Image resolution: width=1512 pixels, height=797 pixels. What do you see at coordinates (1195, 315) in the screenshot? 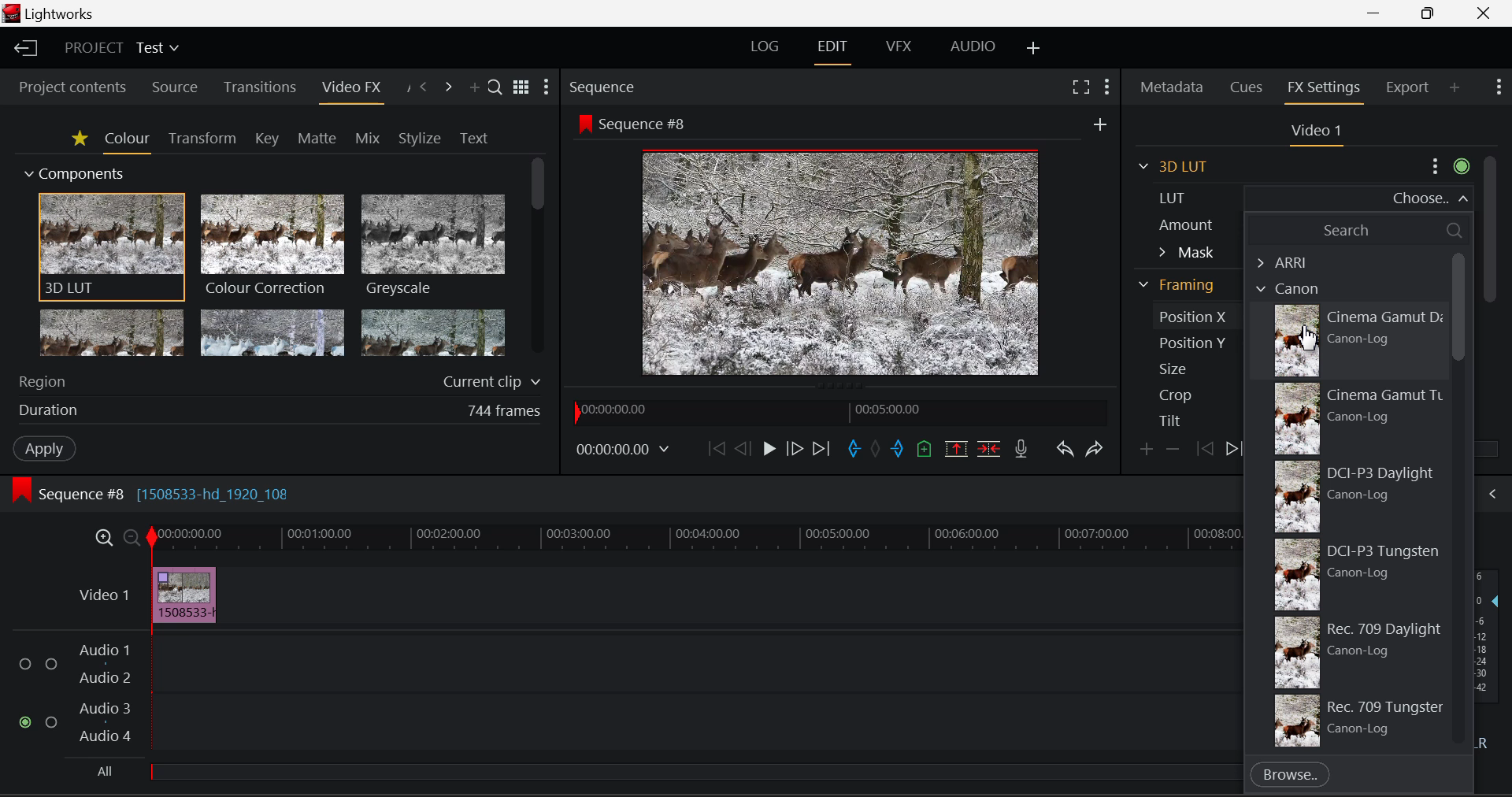
I see `Position X` at bounding box center [1195, 315].